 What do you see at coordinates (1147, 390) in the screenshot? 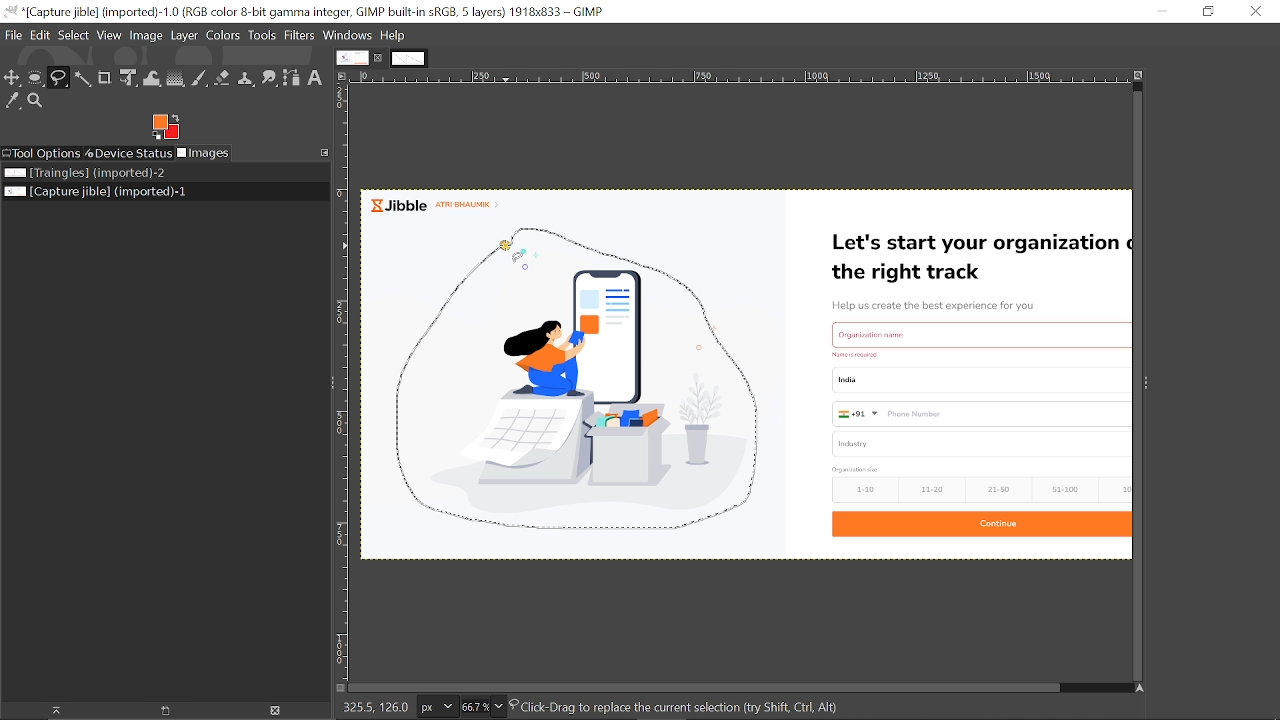
I see `Side bar menu` at bounding box center [1147, 390].